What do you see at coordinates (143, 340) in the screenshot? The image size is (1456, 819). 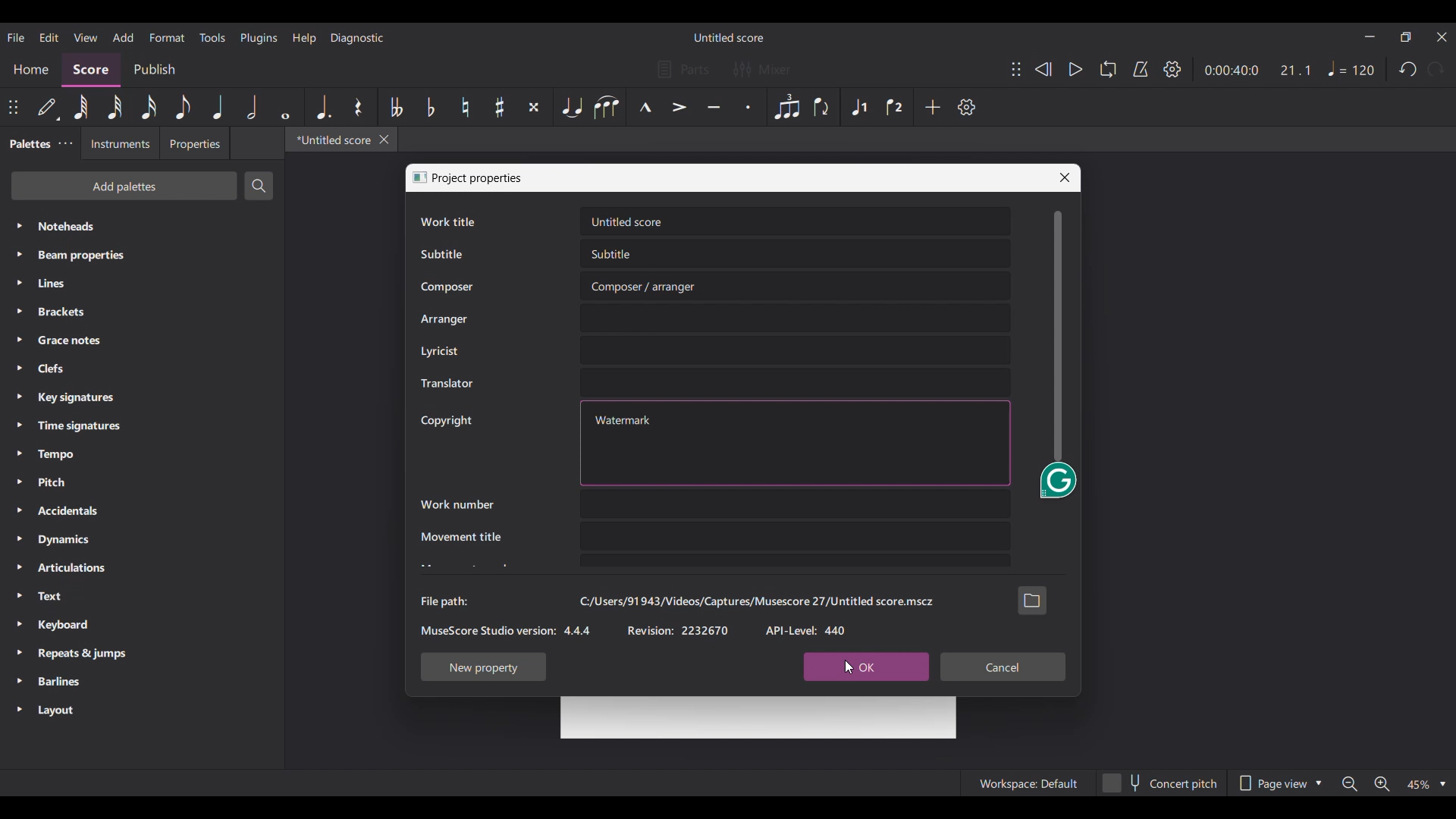 I see `Grace notes` at bounding box center [143, 340].